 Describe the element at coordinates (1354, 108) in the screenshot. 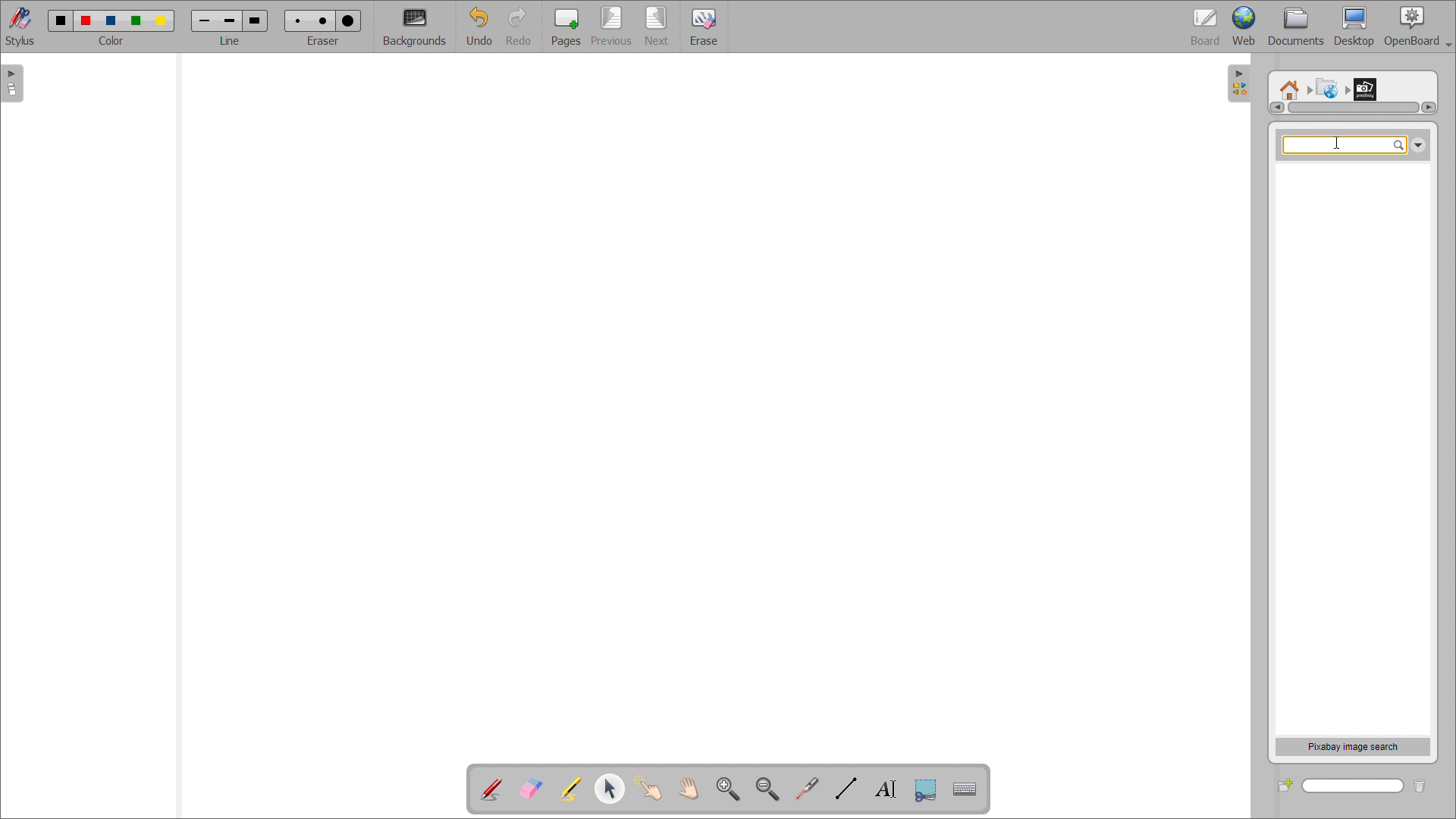

I see `scrollbar` at that location.